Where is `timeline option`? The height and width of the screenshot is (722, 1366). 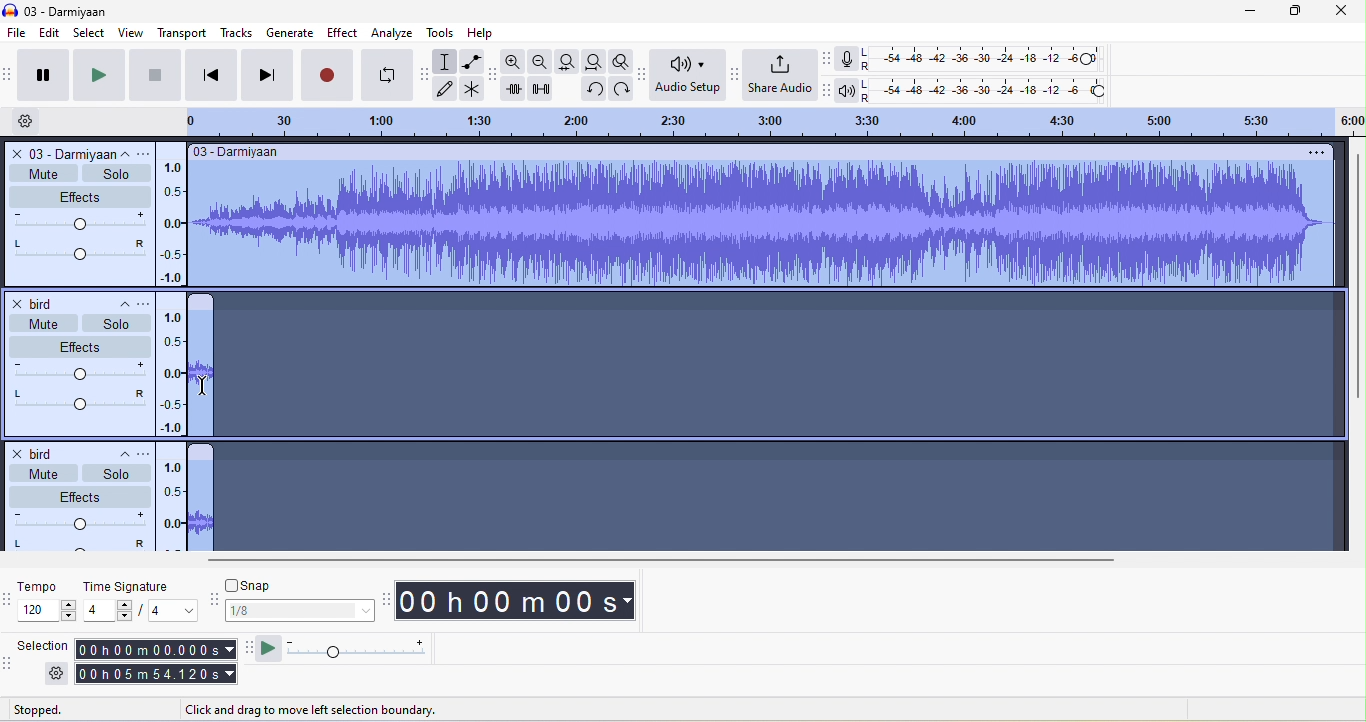
timeline option is located at coordinates (34, 121).